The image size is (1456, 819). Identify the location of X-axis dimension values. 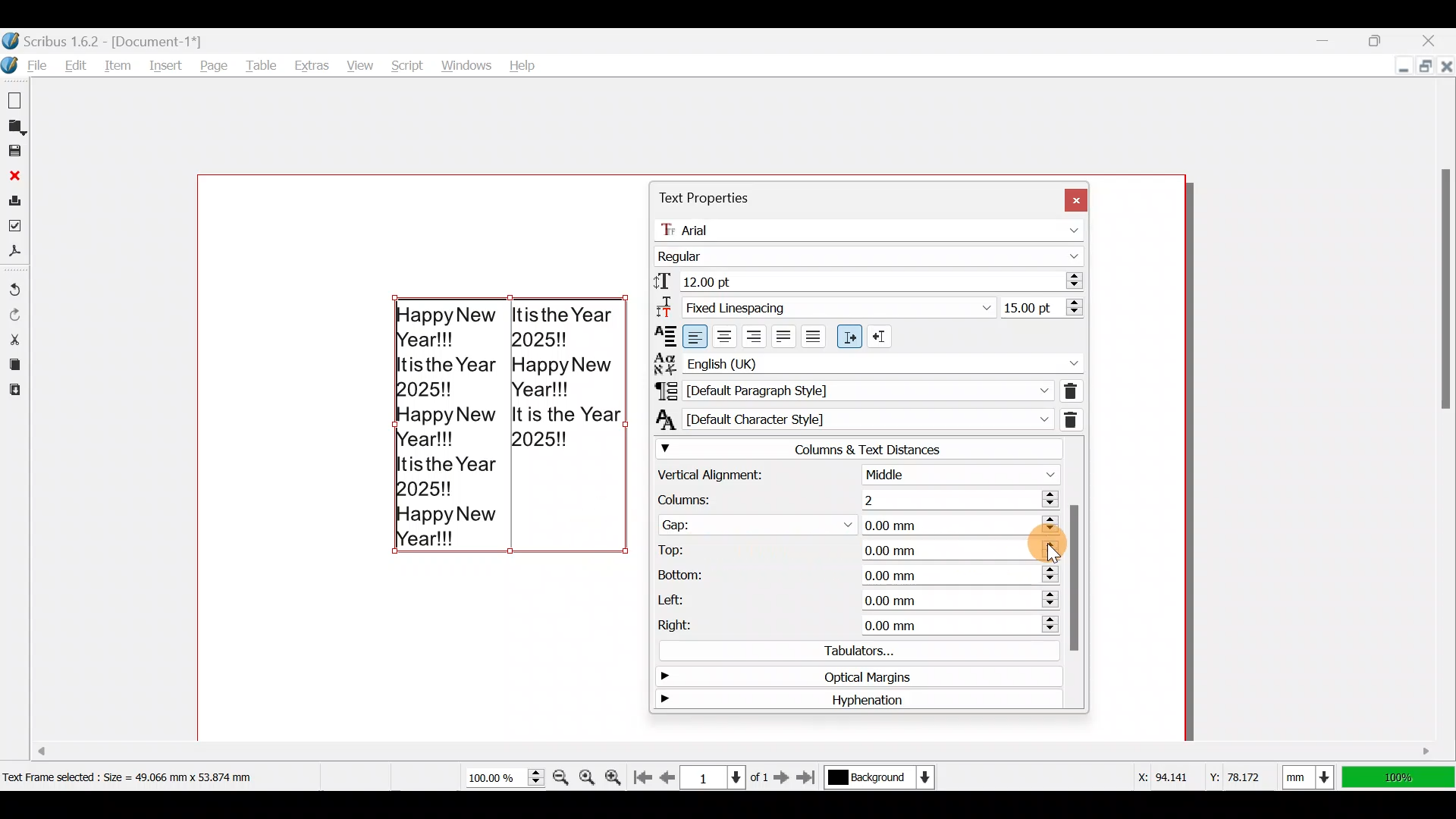
(1160, 776).